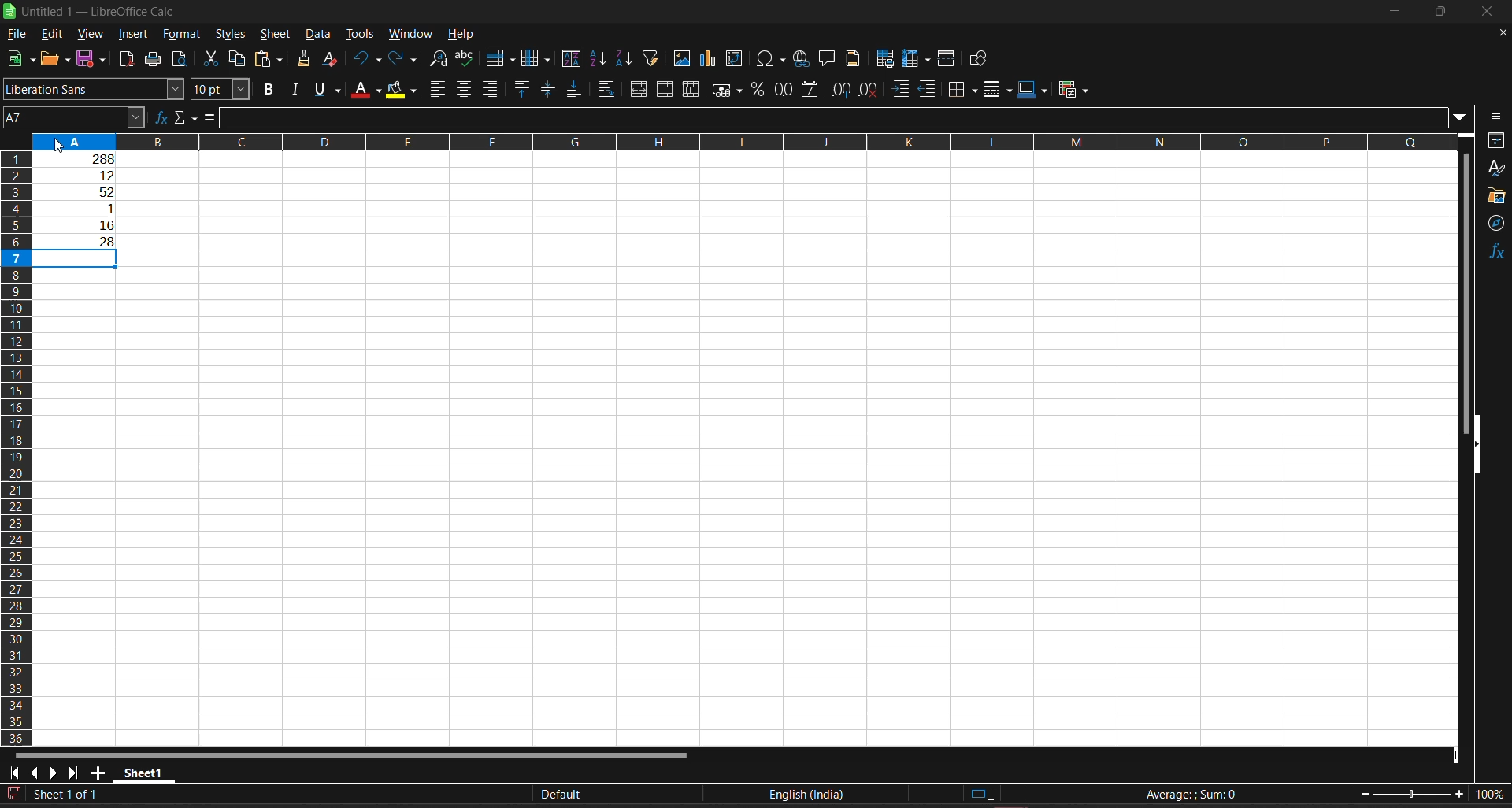  I want to click on insert image, so click(683, 57).